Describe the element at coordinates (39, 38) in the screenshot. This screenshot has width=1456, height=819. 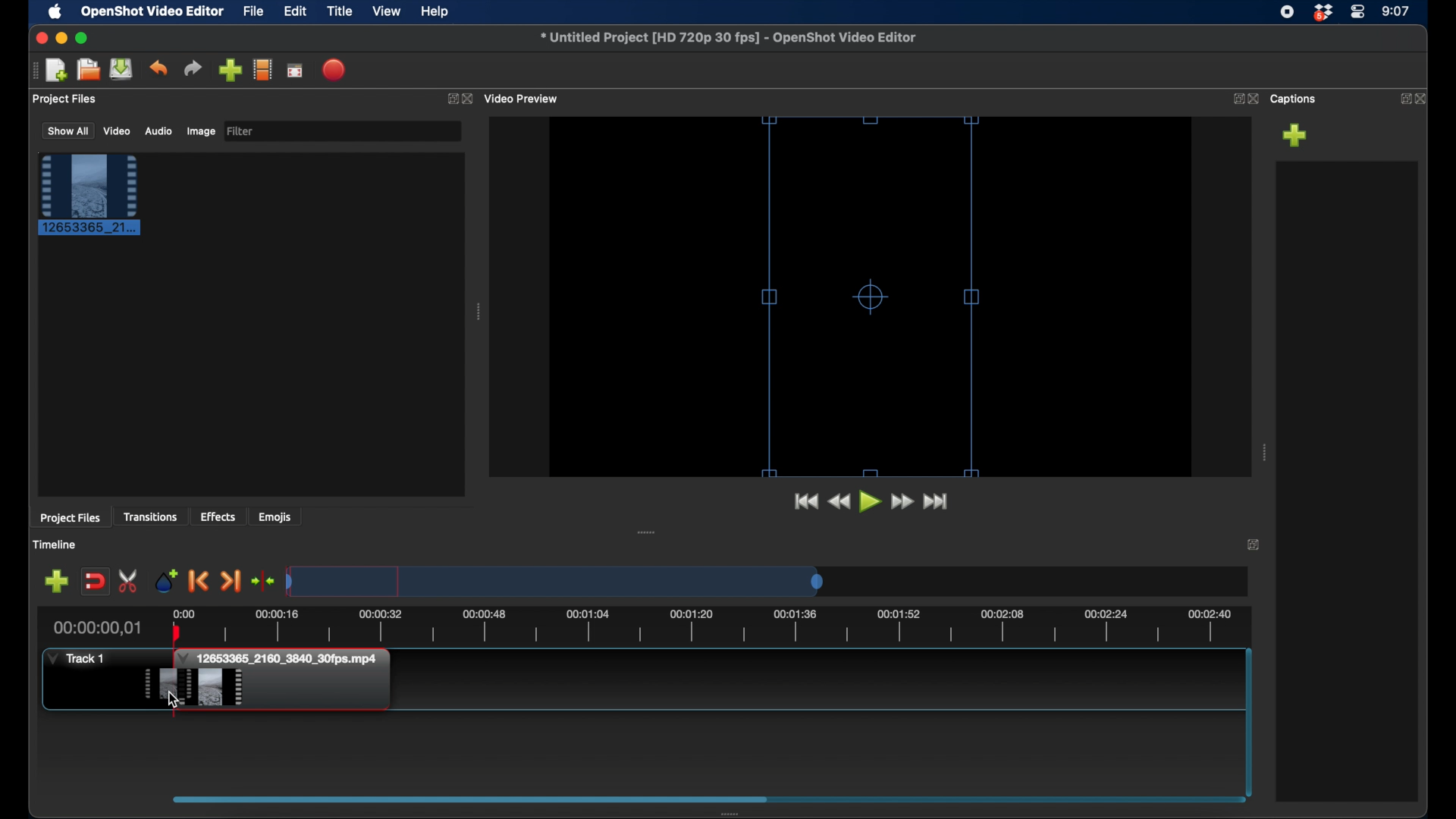
I see `close` at that location.